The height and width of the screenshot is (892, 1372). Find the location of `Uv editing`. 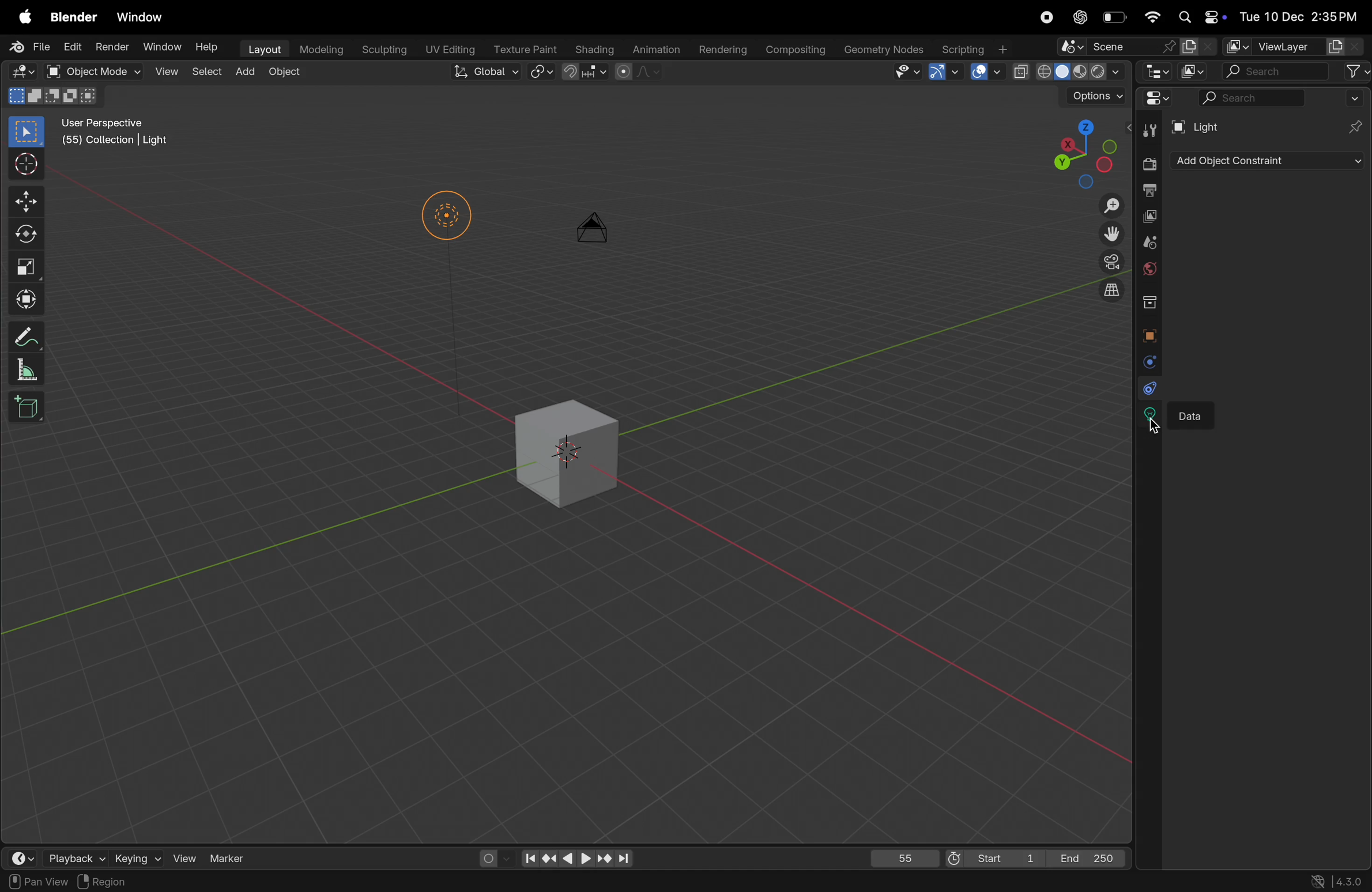

Uv editing is located at coordinates (447, 48).